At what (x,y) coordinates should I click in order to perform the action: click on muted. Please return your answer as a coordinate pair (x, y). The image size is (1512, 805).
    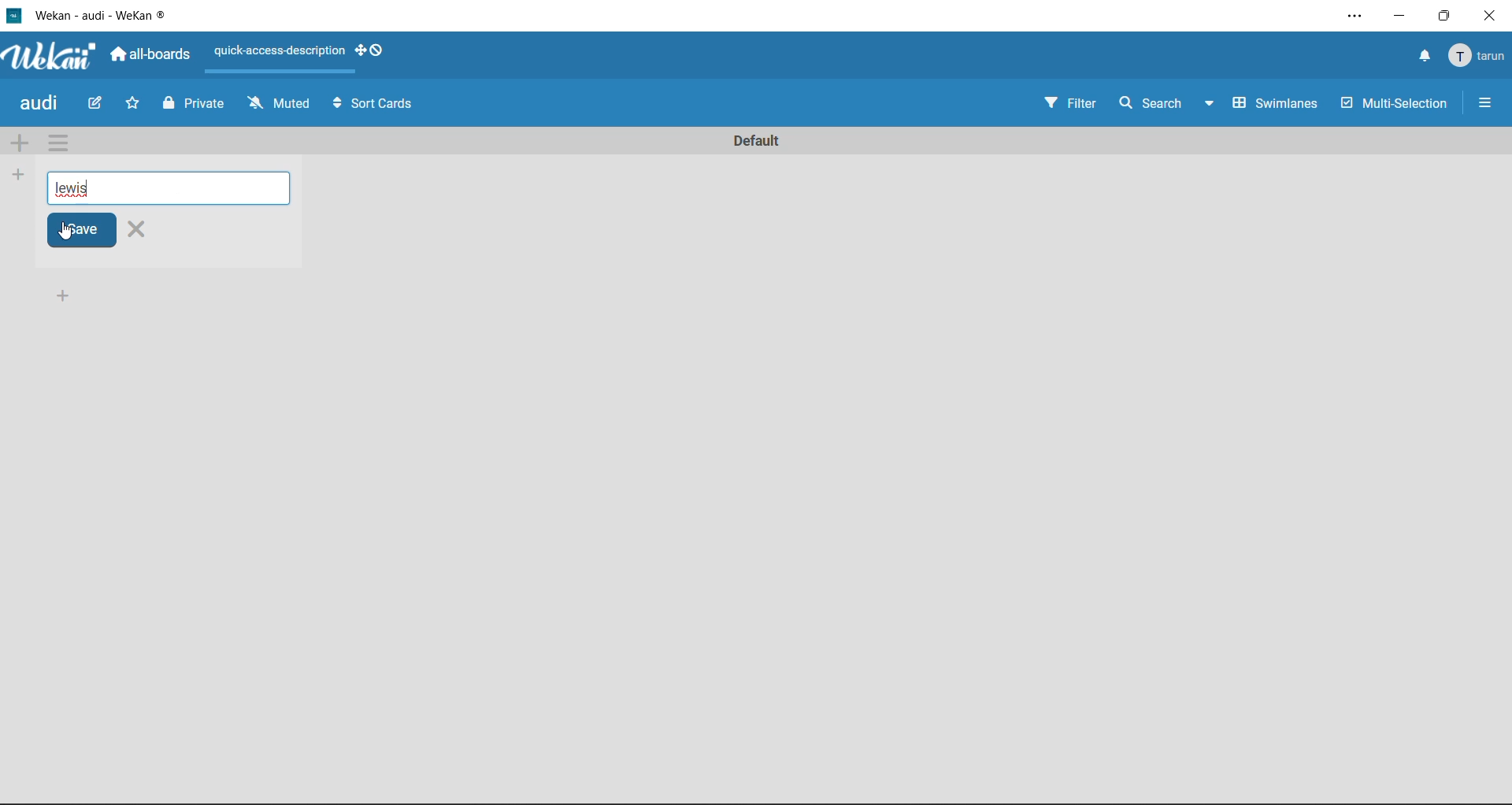
    Looking at the image, I should click on (279, 104).